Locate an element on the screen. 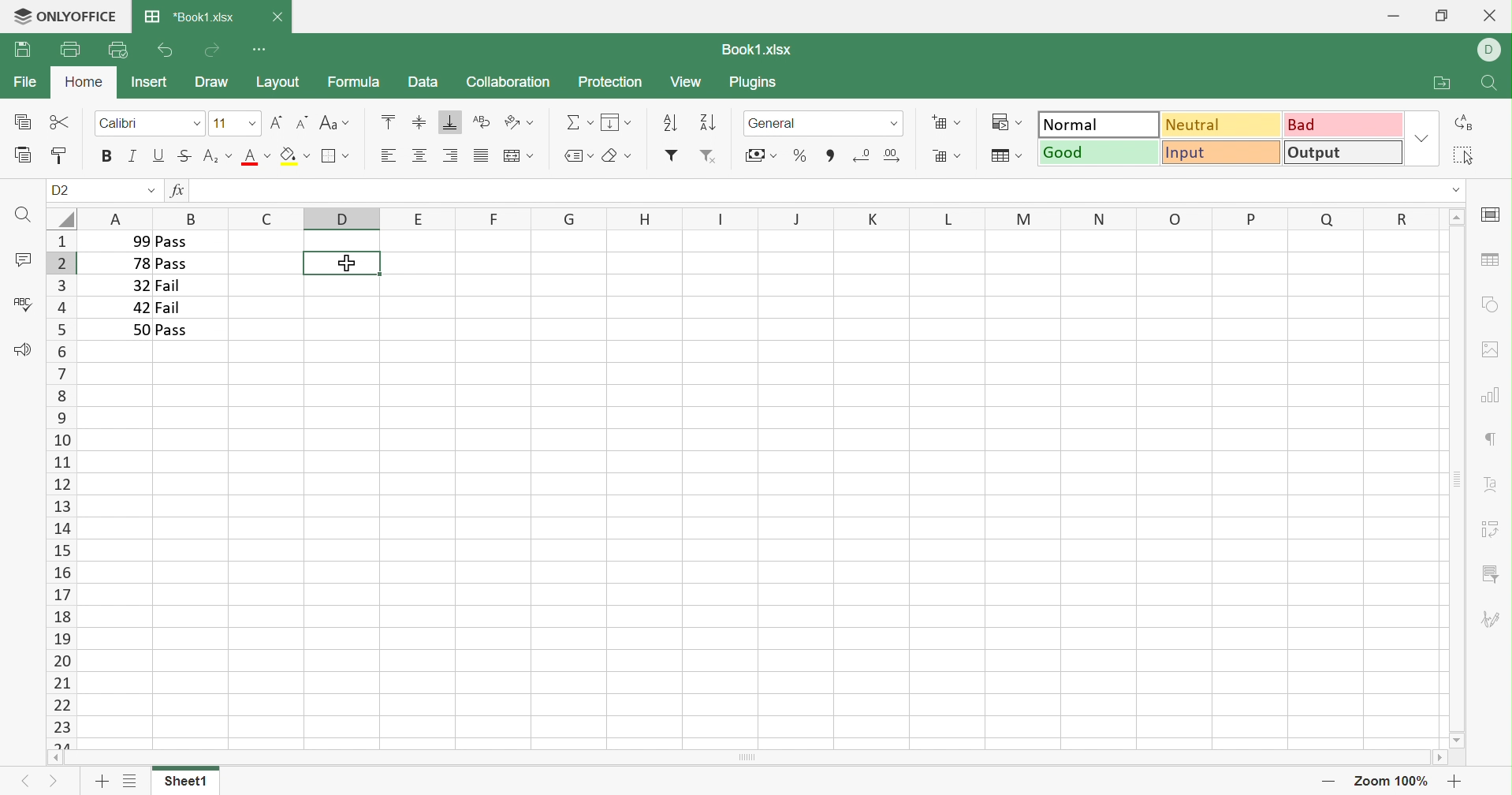  Layout is located at coordinates (278, 82).